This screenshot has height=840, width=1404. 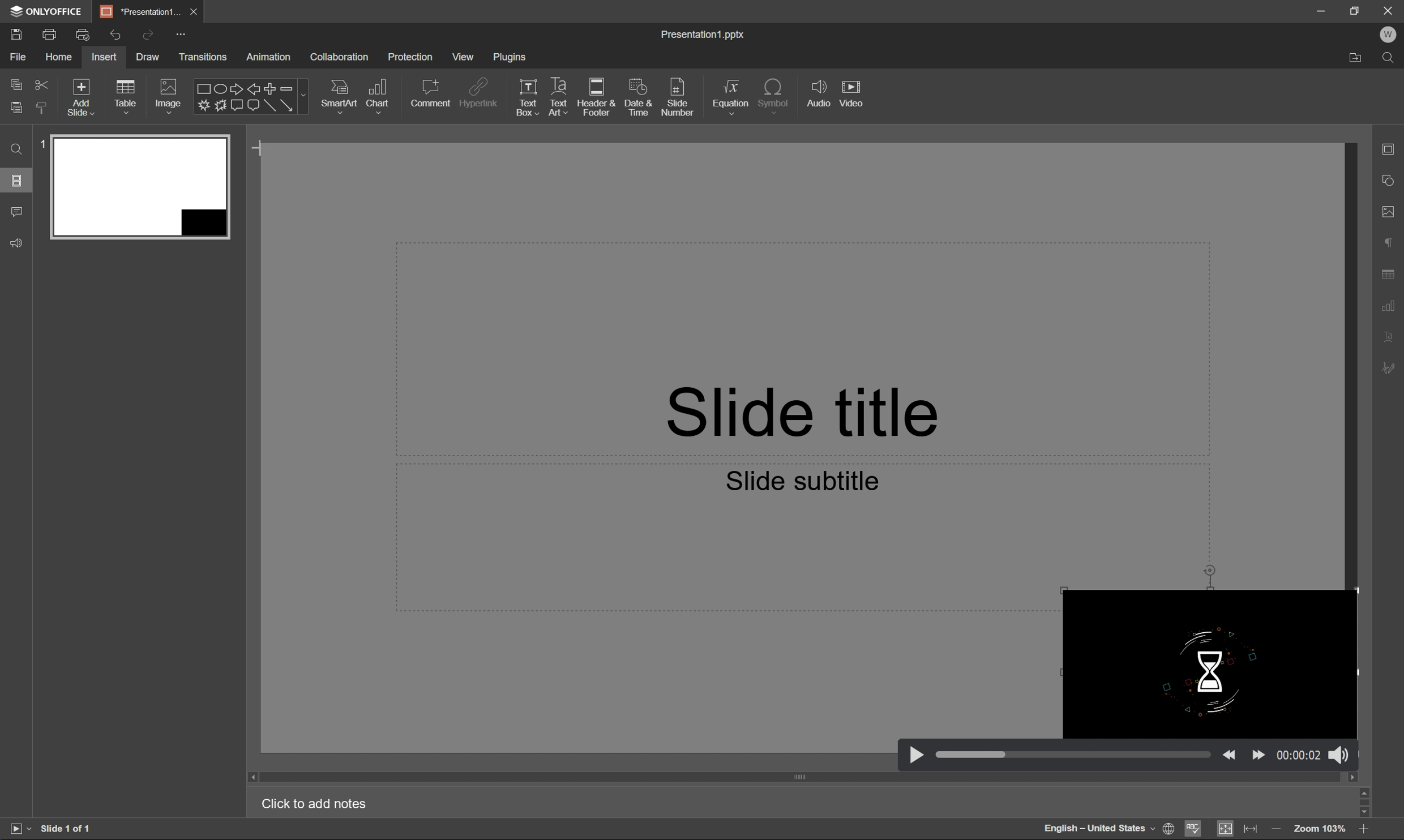 I want to click on slider, so click(x=1073, y=756).